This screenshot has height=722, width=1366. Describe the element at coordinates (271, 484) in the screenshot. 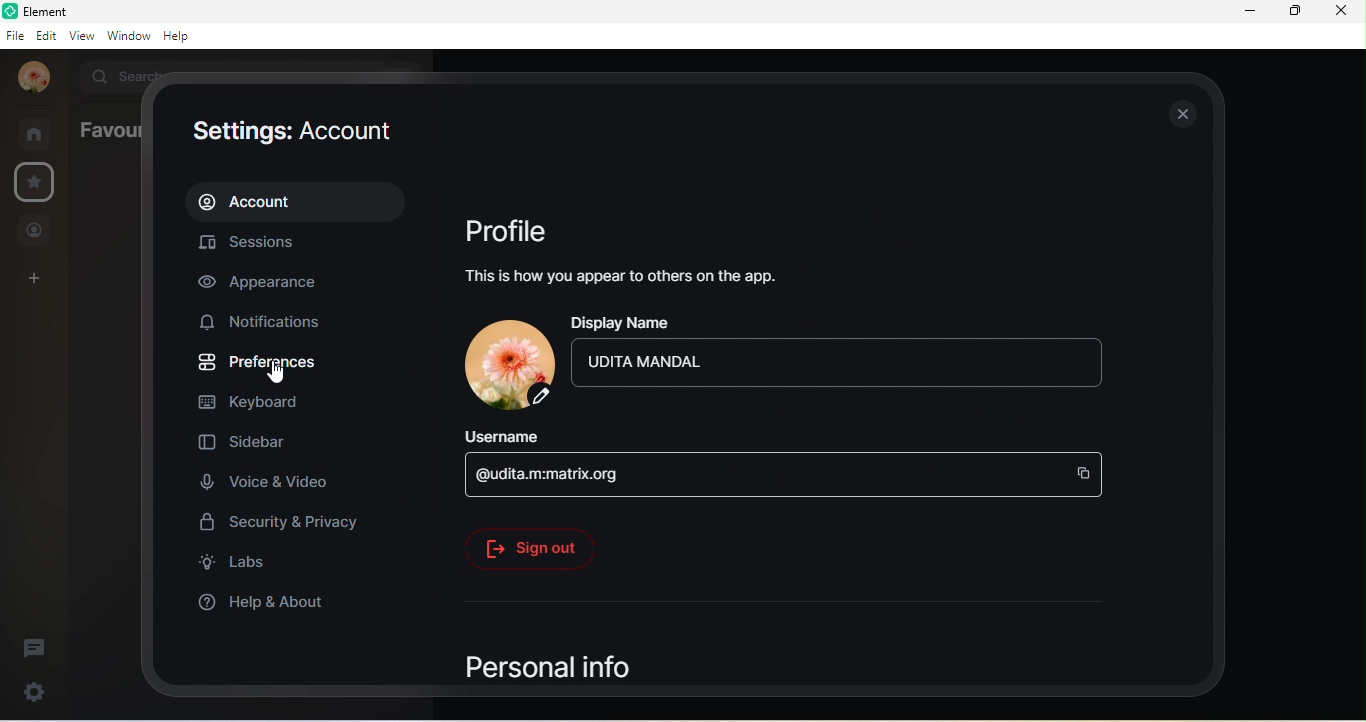

I see `voice and video` at that location.